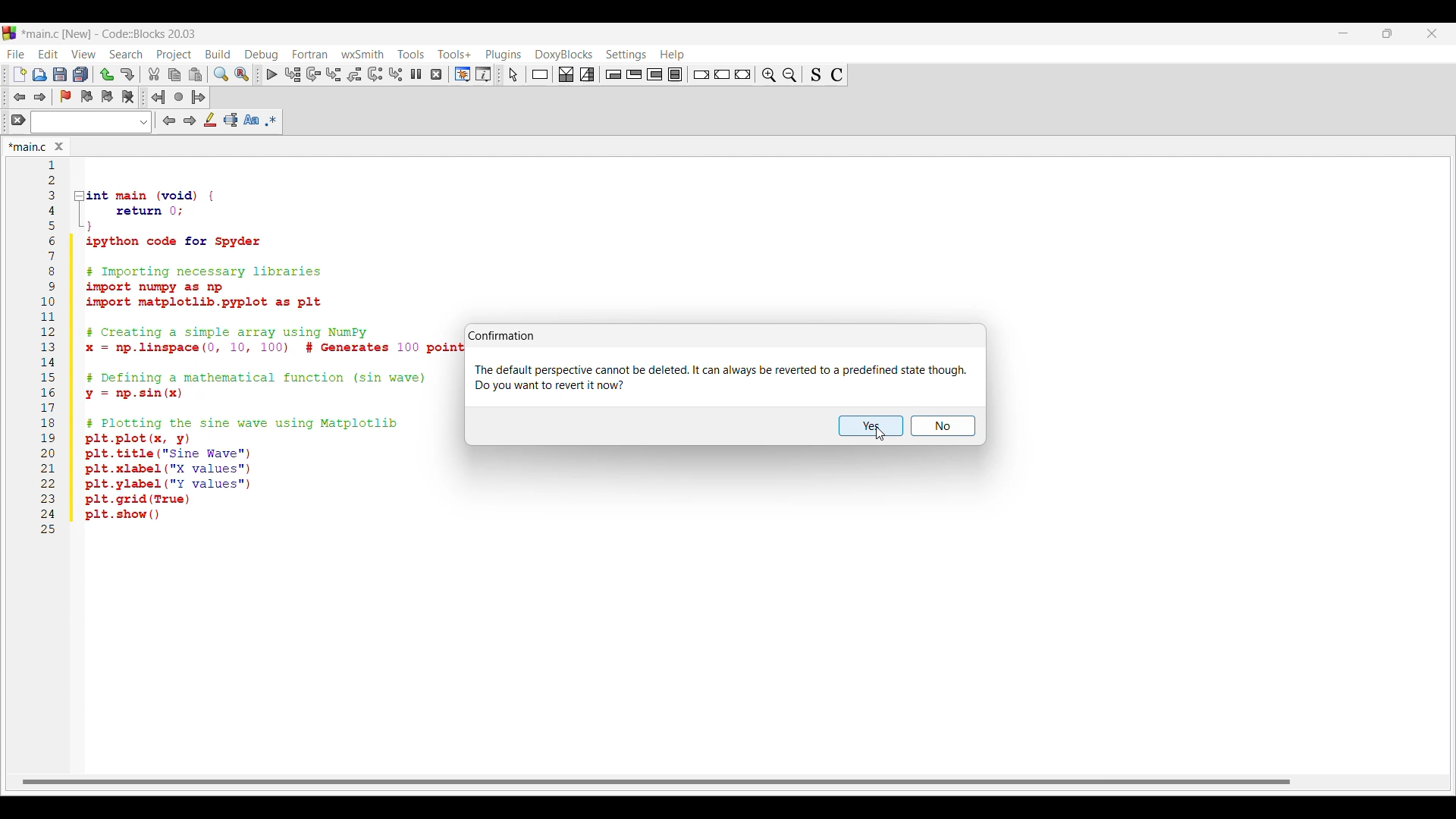  I want to click on Step into instruction, so click(396, 74).